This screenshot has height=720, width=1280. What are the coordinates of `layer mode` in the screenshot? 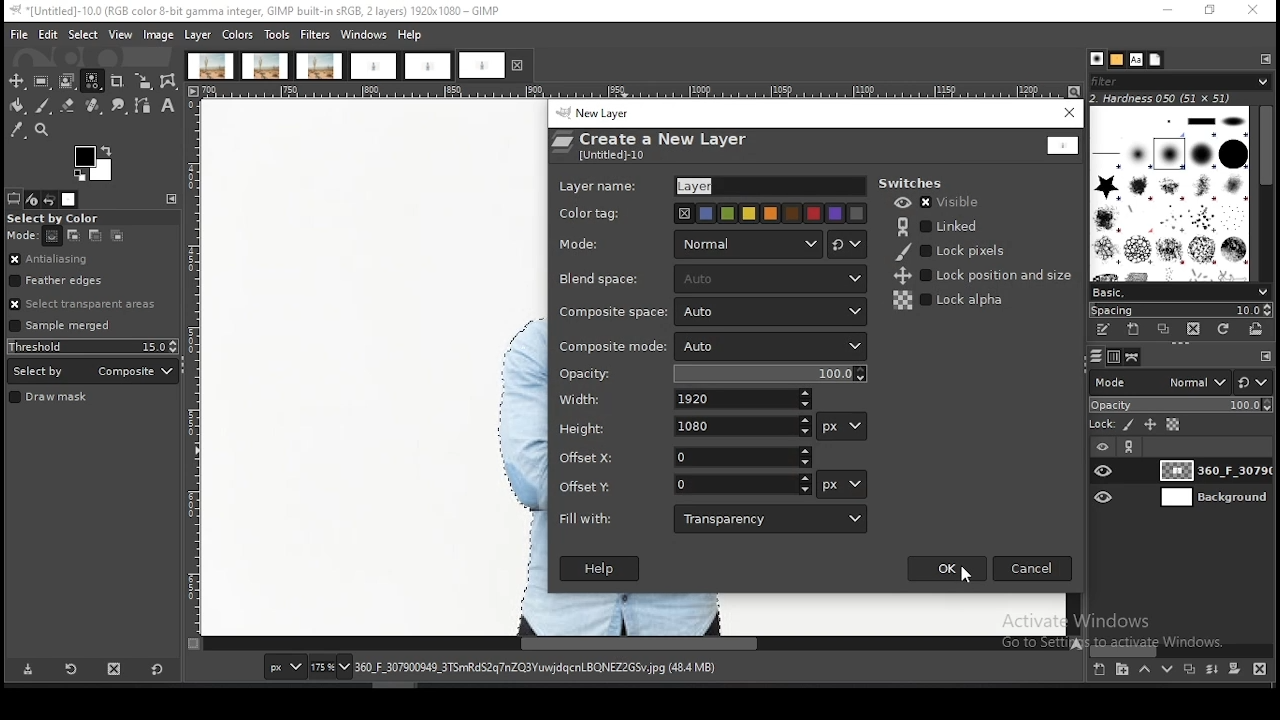 It's located at (748, 244).